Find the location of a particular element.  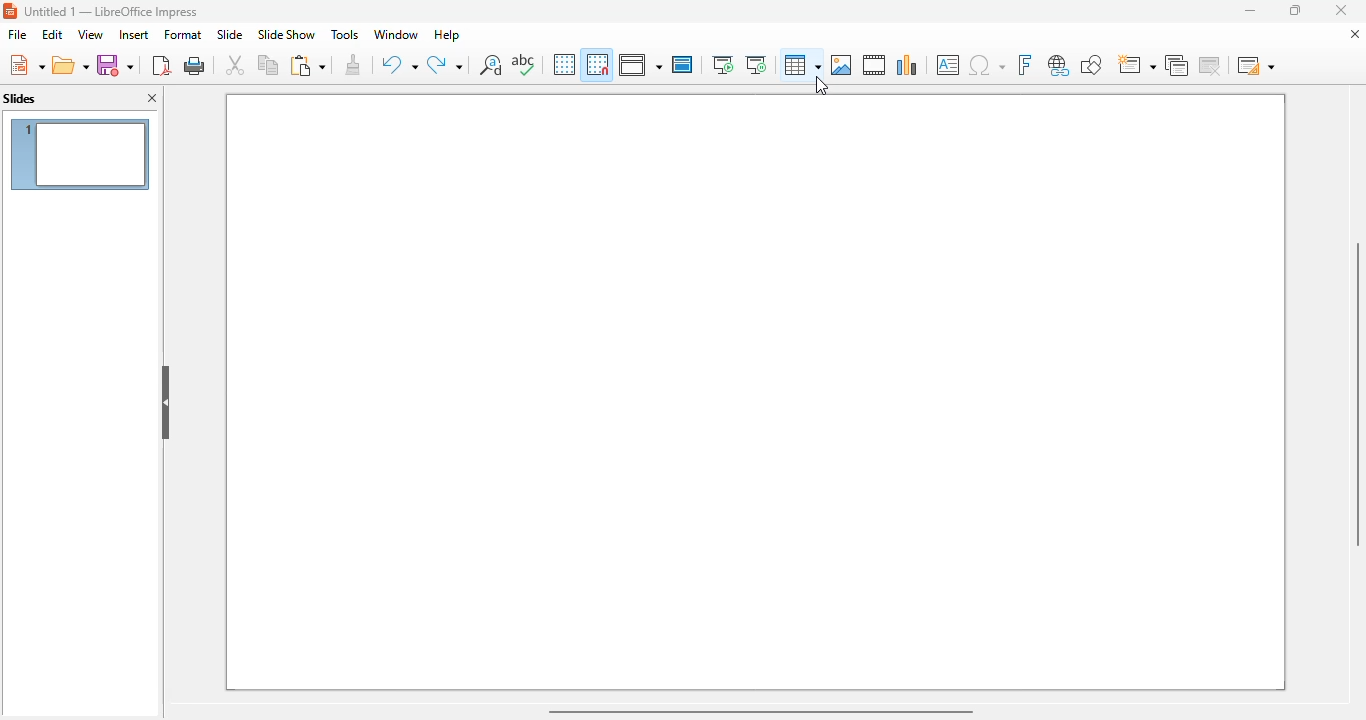

new slide is located at coordinates (1135, 64).